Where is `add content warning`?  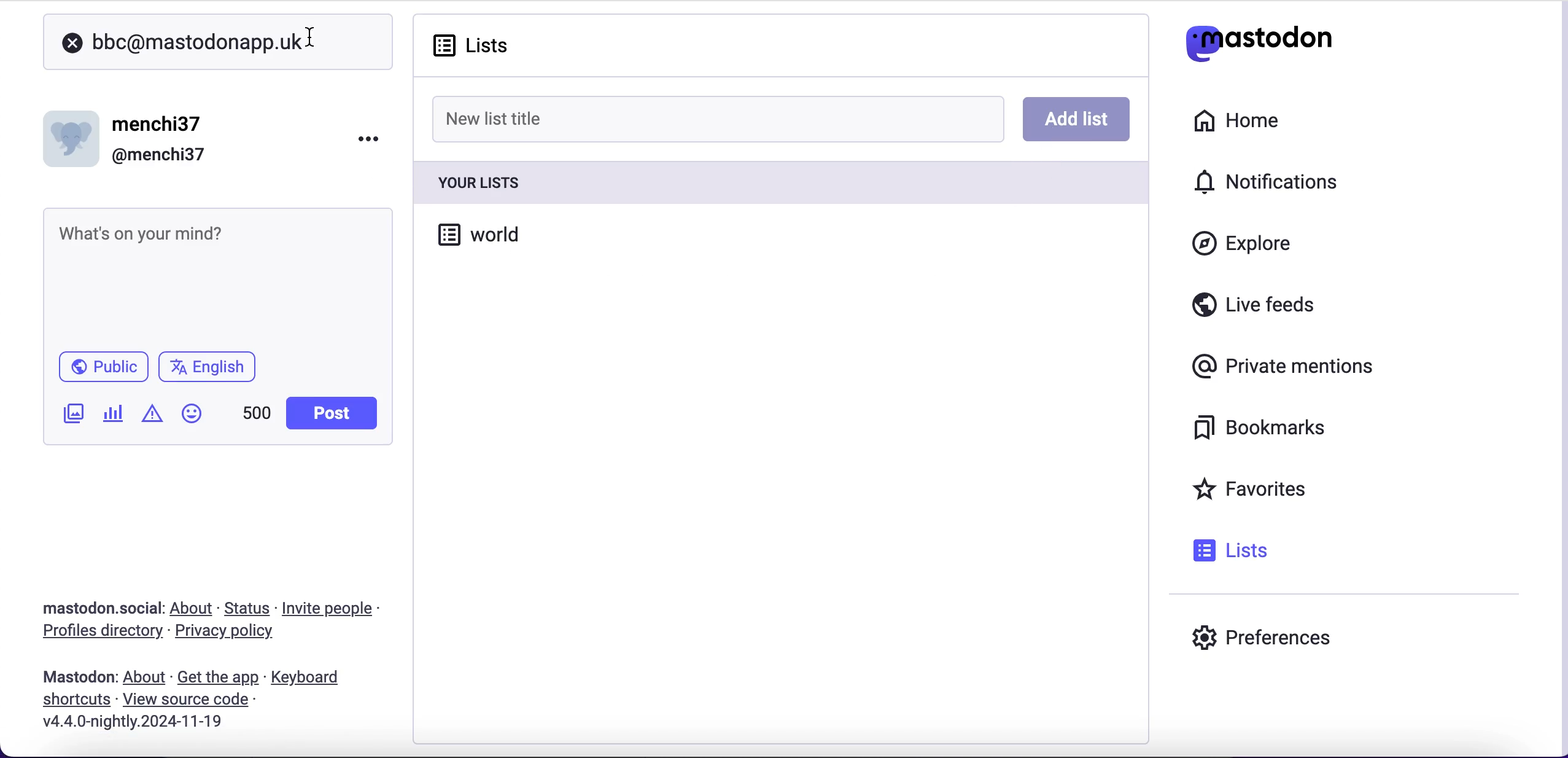 add content warning is located at coordinates (155, 415).